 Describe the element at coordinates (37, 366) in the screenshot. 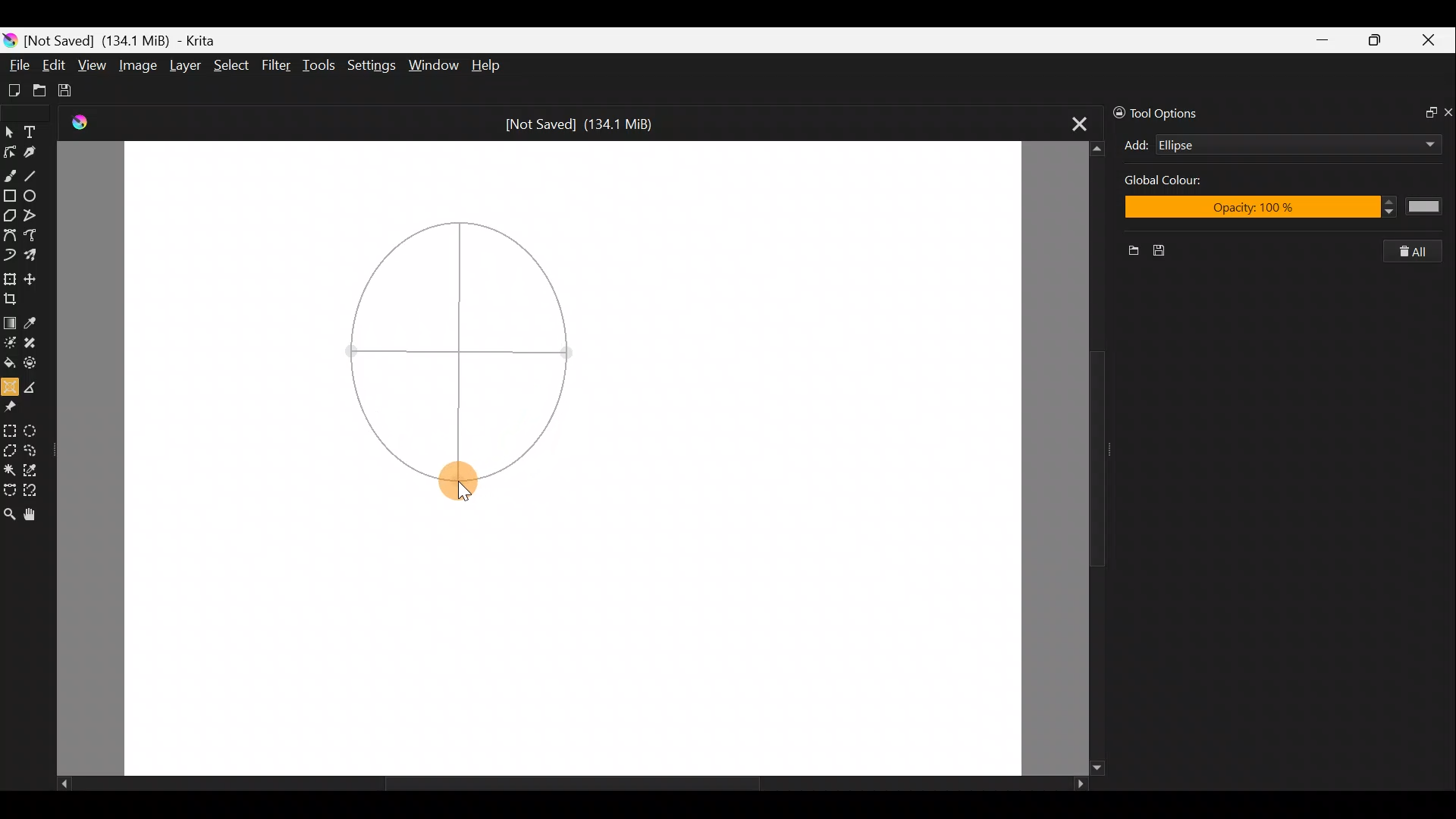

I see `Enclose and fill tool` at that location.